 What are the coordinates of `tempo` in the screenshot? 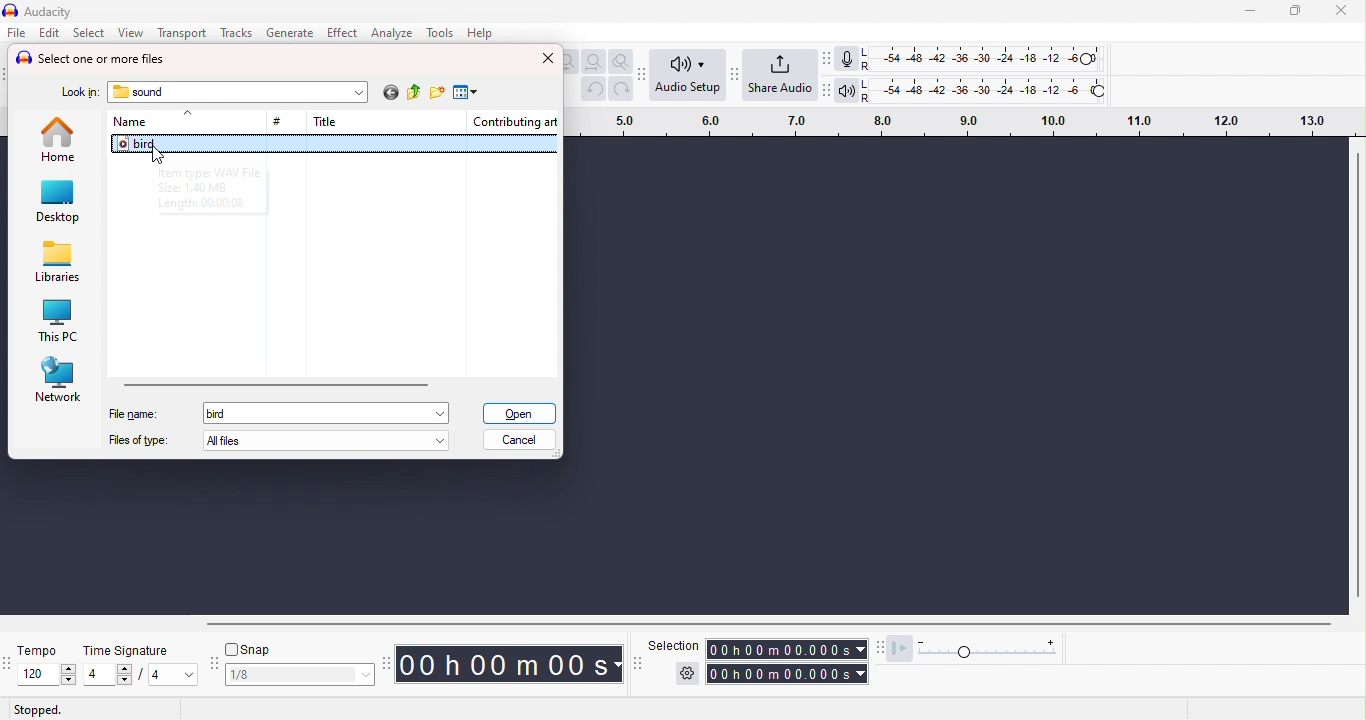 It's located at (38, 649).